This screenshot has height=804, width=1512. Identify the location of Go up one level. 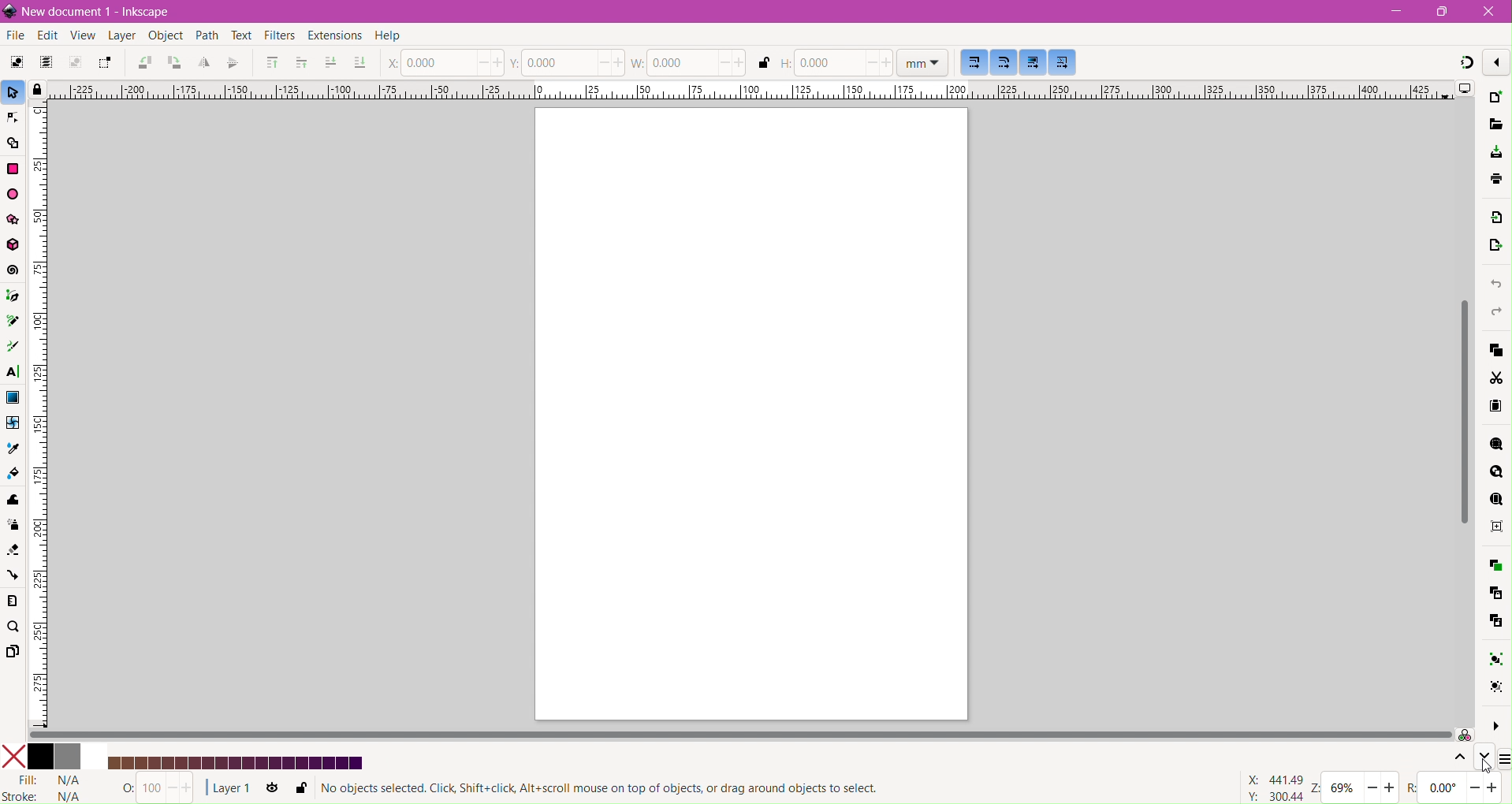
(1460, 760).